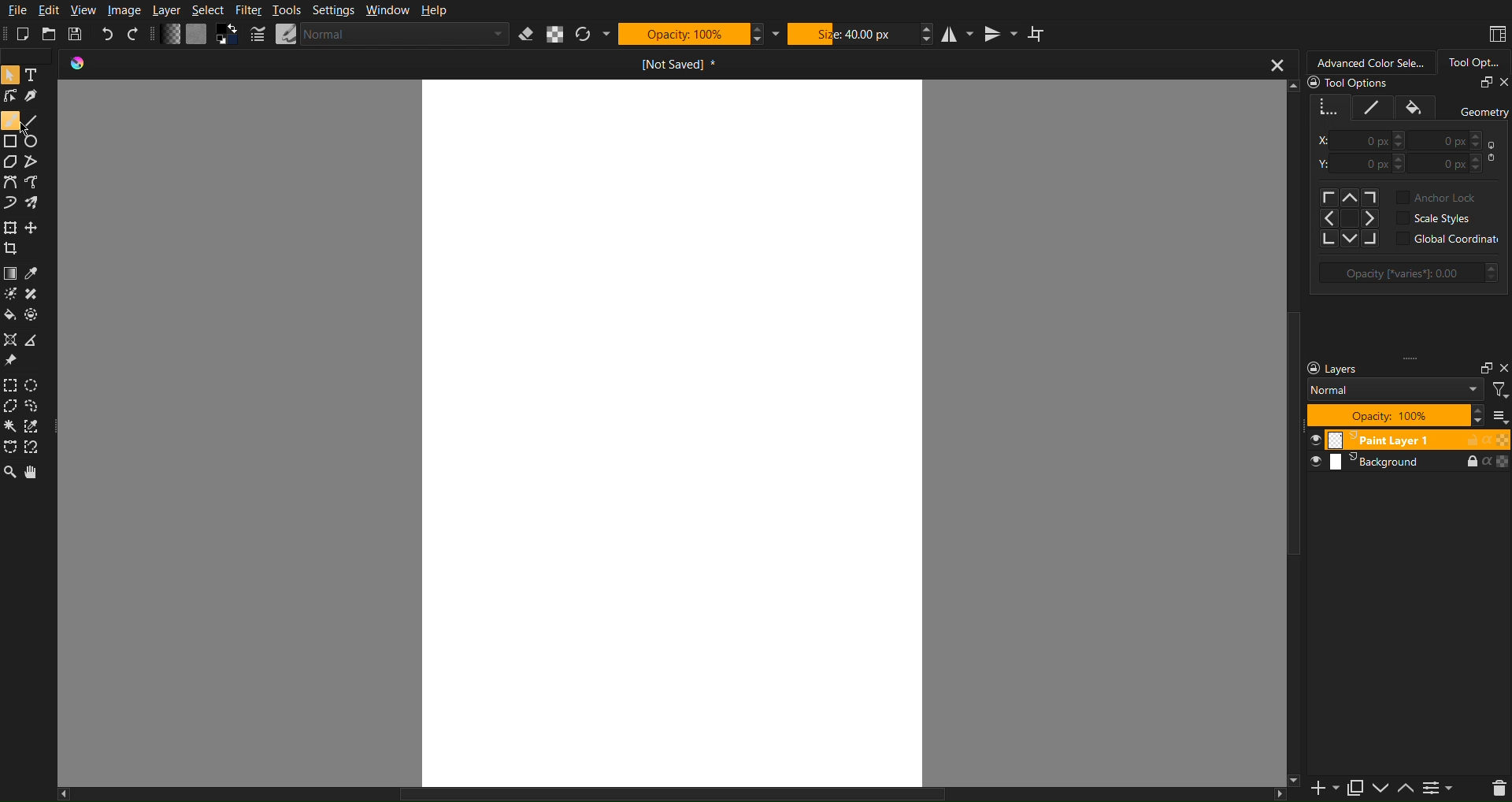  What do you see at coordinates (167, 9) in the screenshot?
I see `Layer` at bounding box center [167, 9].